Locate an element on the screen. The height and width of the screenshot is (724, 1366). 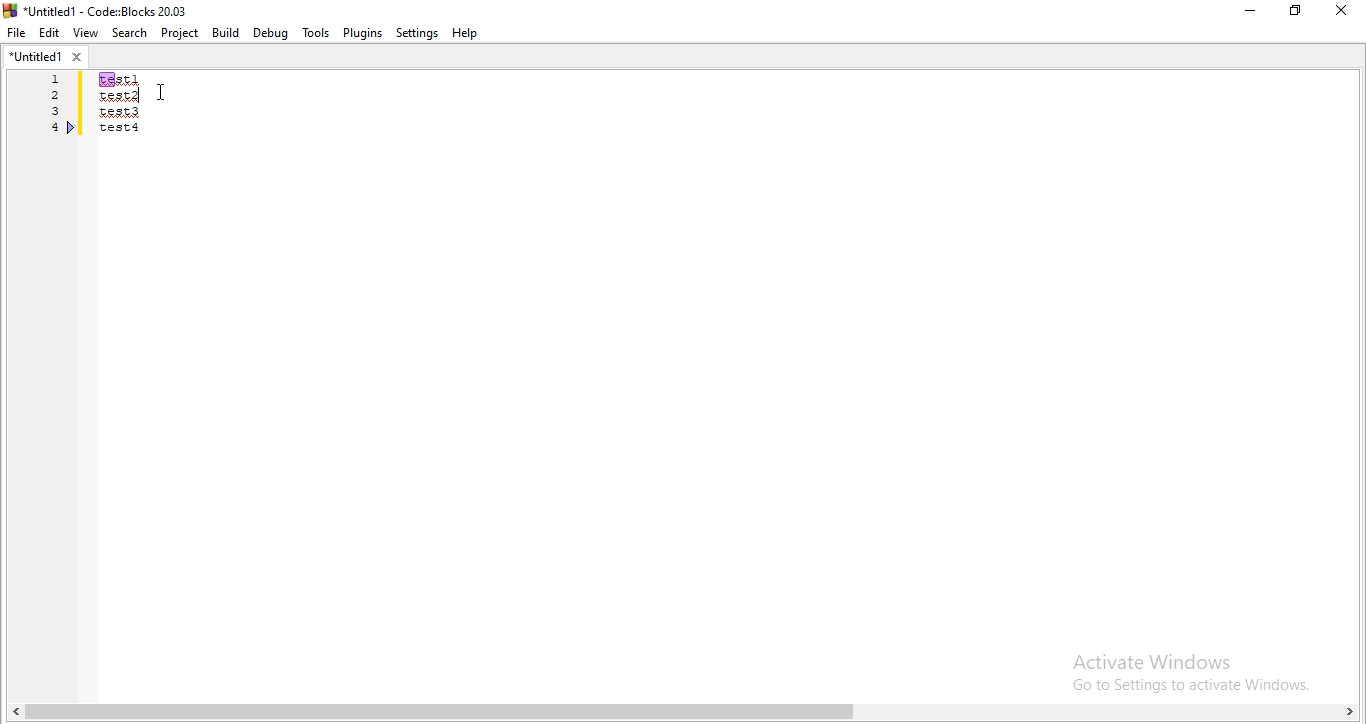
Build  is located at coordinates (224, 33).